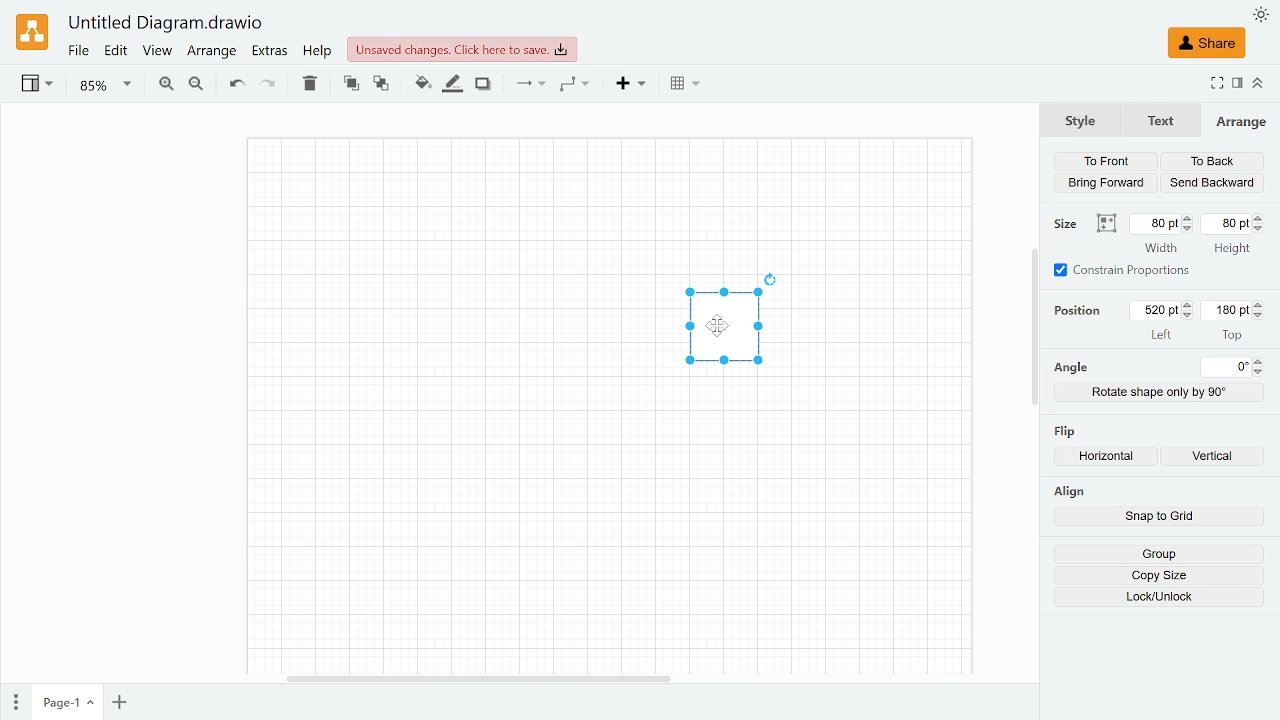 The image size is (1280, 720). I want to click on Rotate shape only by 90 degrees, so click(1160, 392).